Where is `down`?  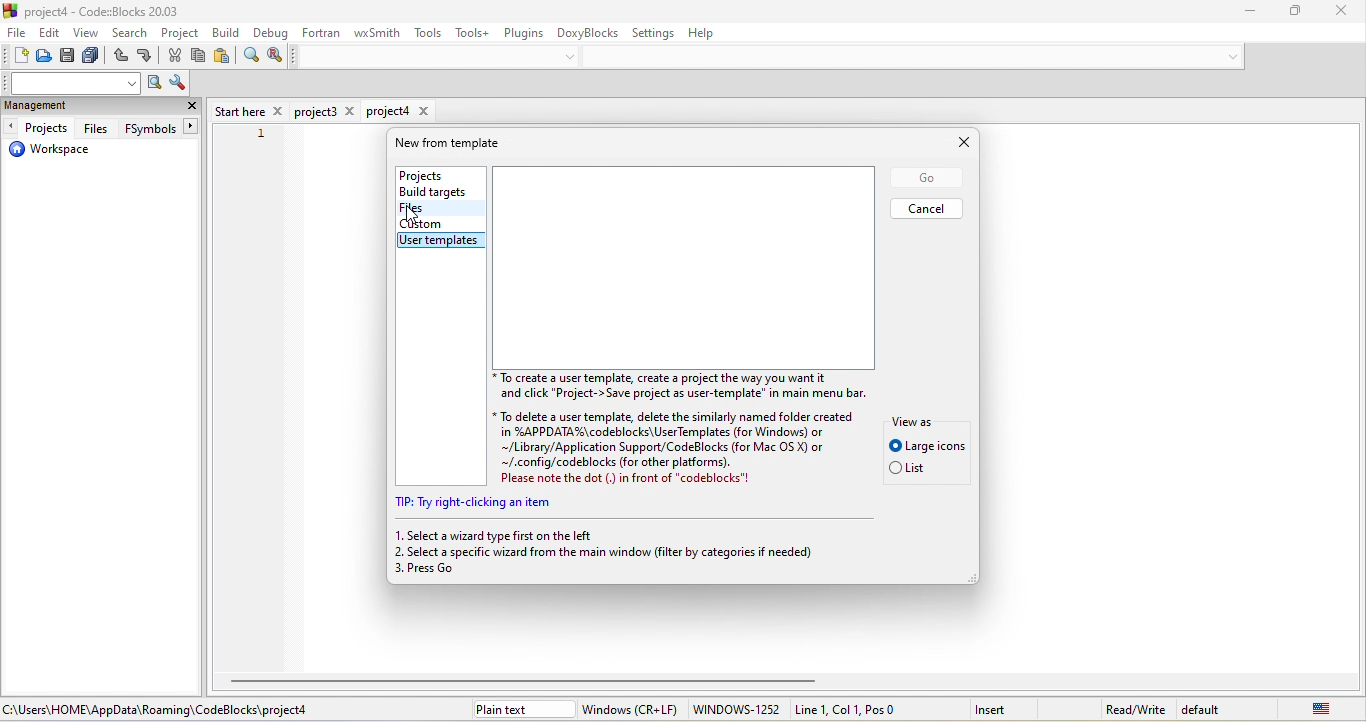 down is located at coordinates (1228, 56).